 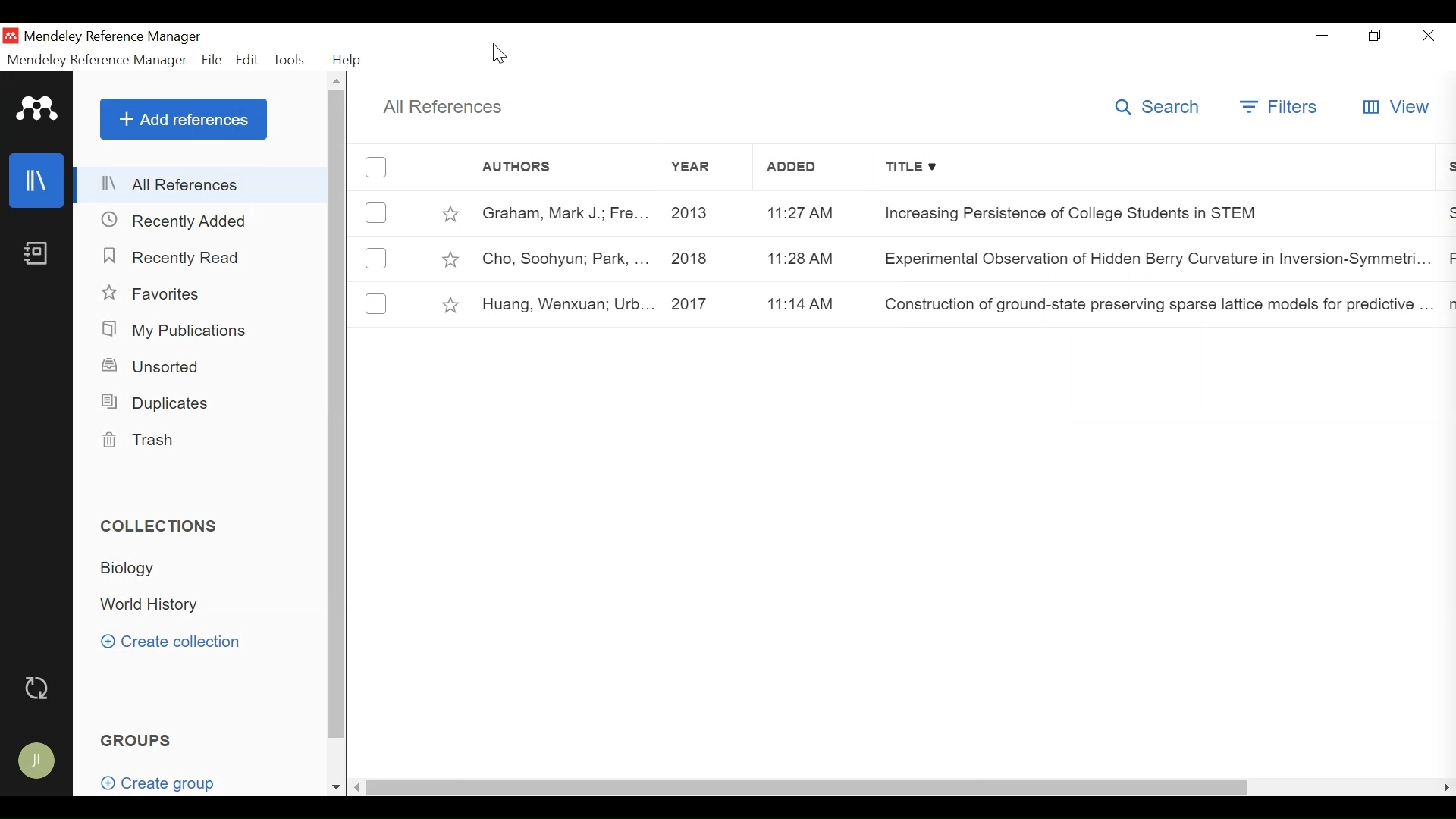 I want to click on Cursor, so click(x=499, y=55).